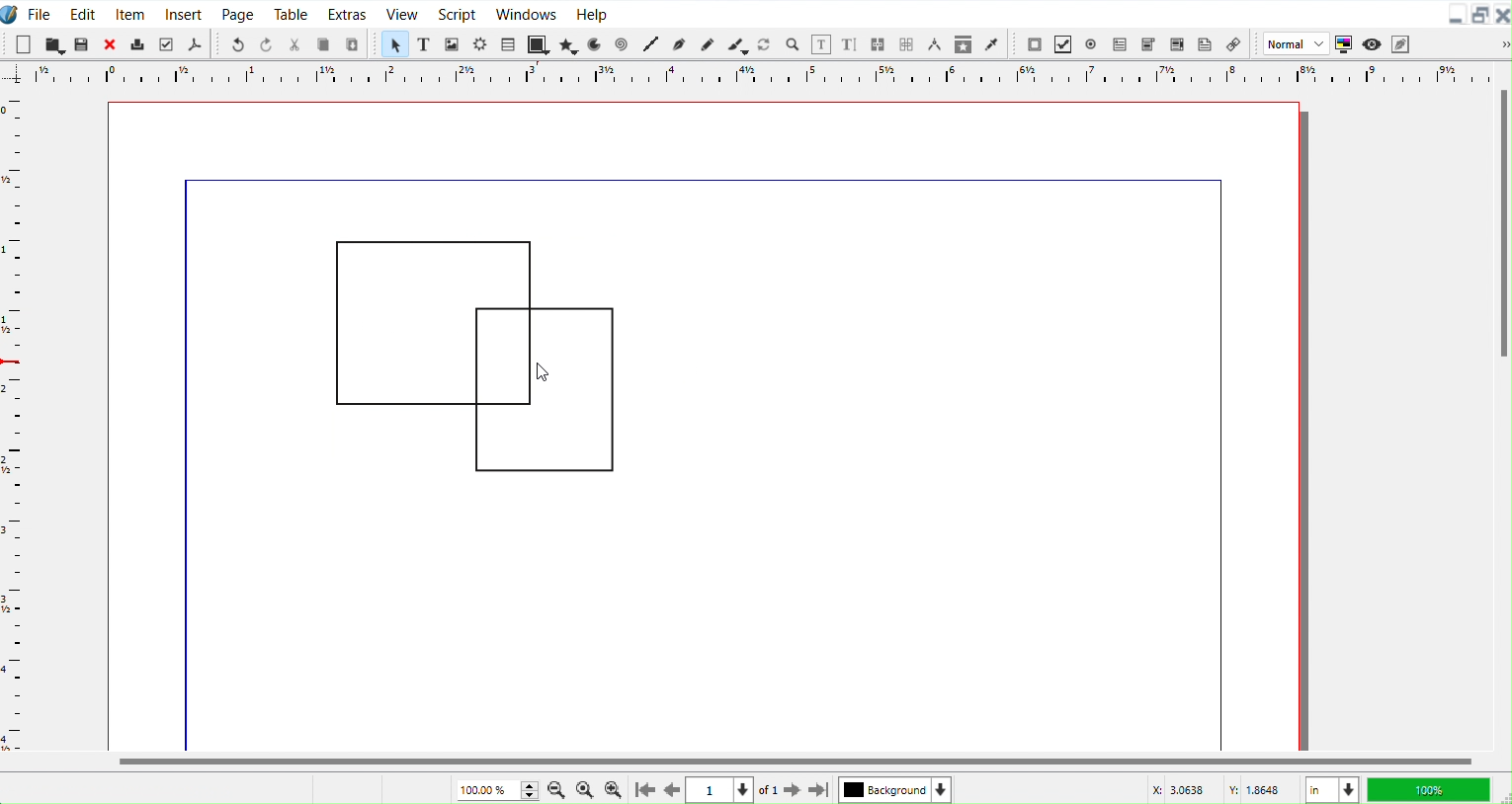  What do you see at coordinates (458, 13) in the screenshot?
I see `Script` at bounding box center [458, 13].